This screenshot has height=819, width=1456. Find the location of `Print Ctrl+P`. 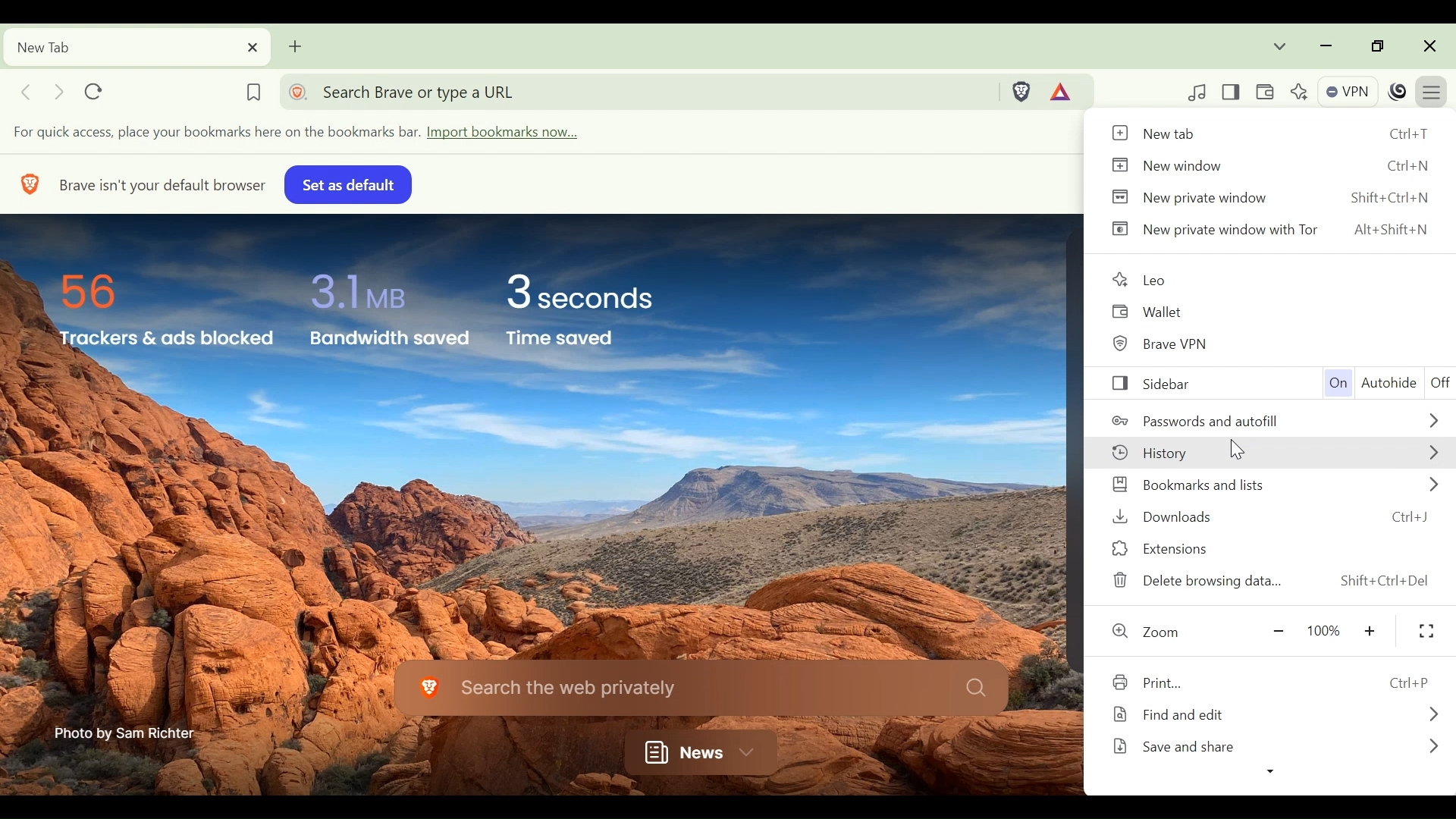

Print Ctrl+P is located at coordinates (1278, 685).